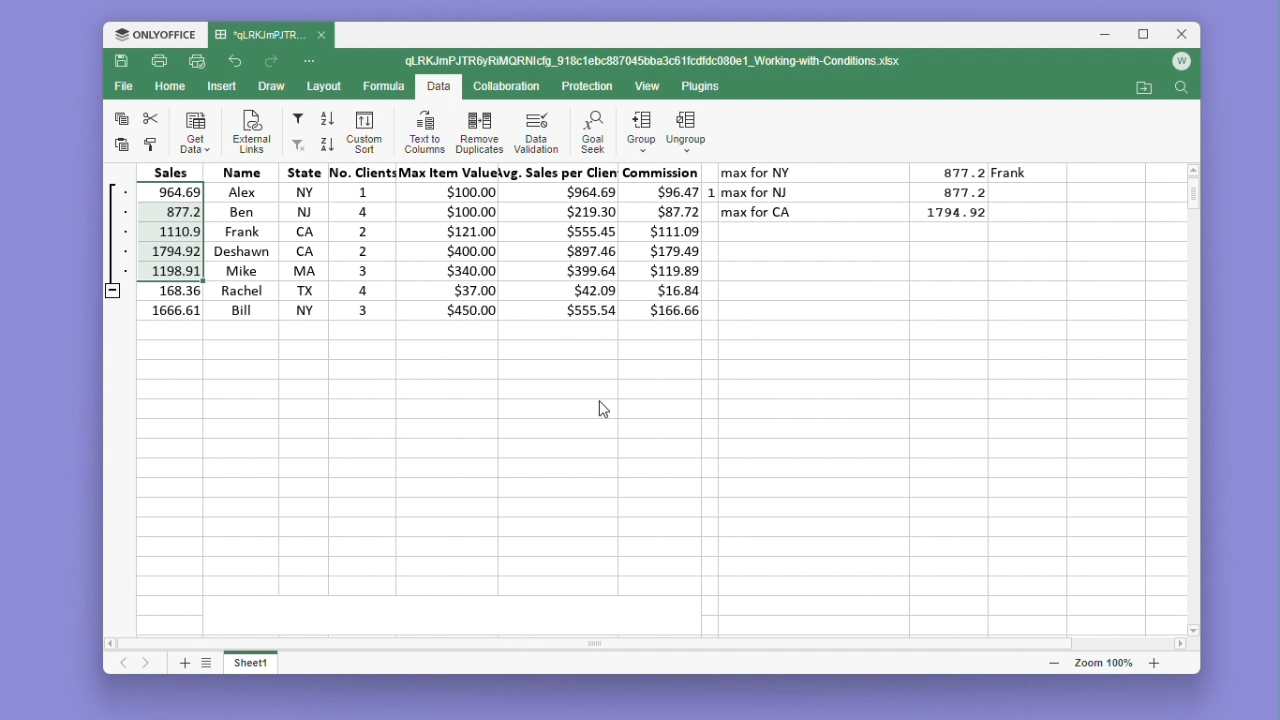  What do you see at coordinates (252, 661) in the screenshot?
I see `sheet 1` at bounding box center [252, 661].